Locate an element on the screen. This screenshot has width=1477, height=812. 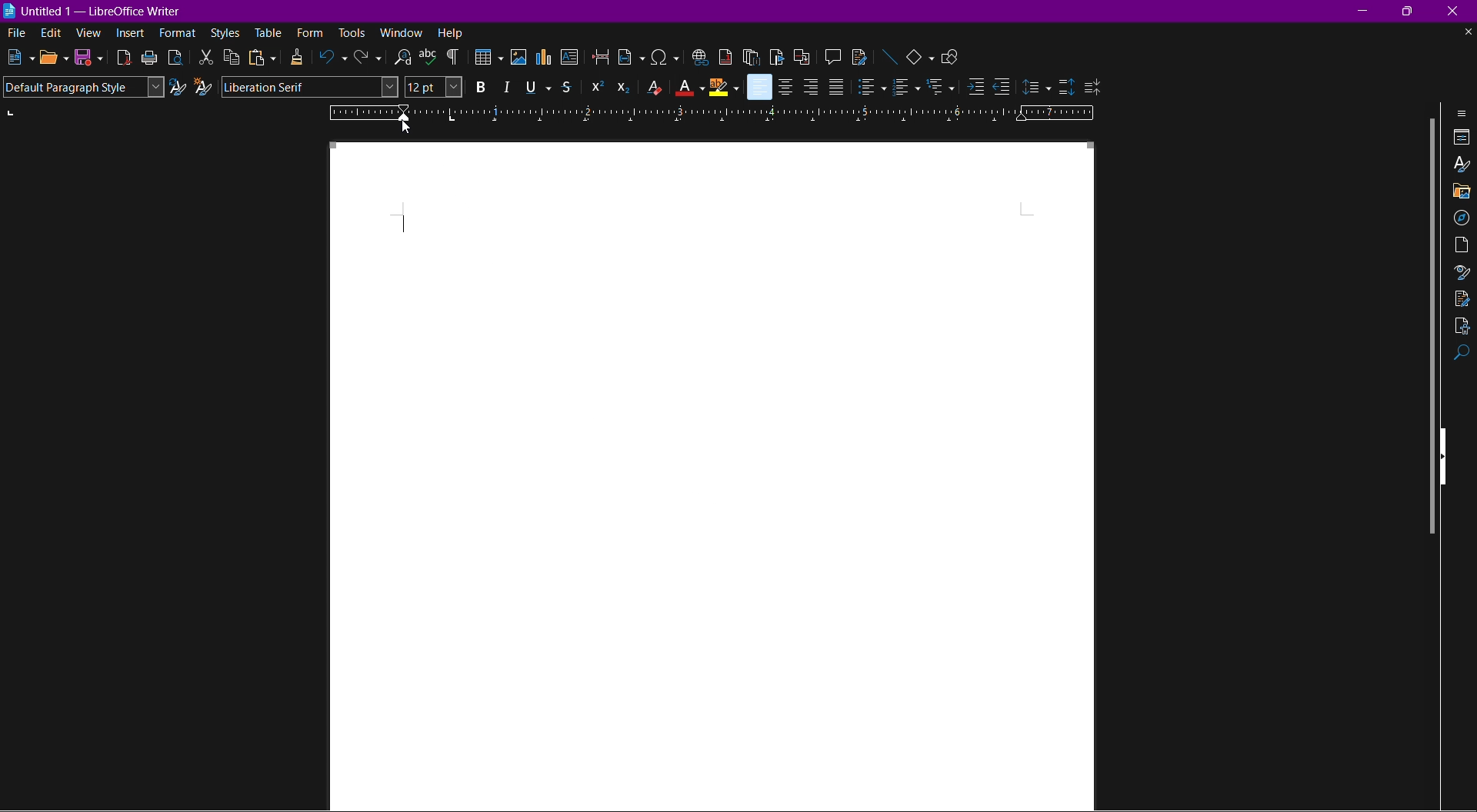
Export as PDF is located at coordinates (124, 58).